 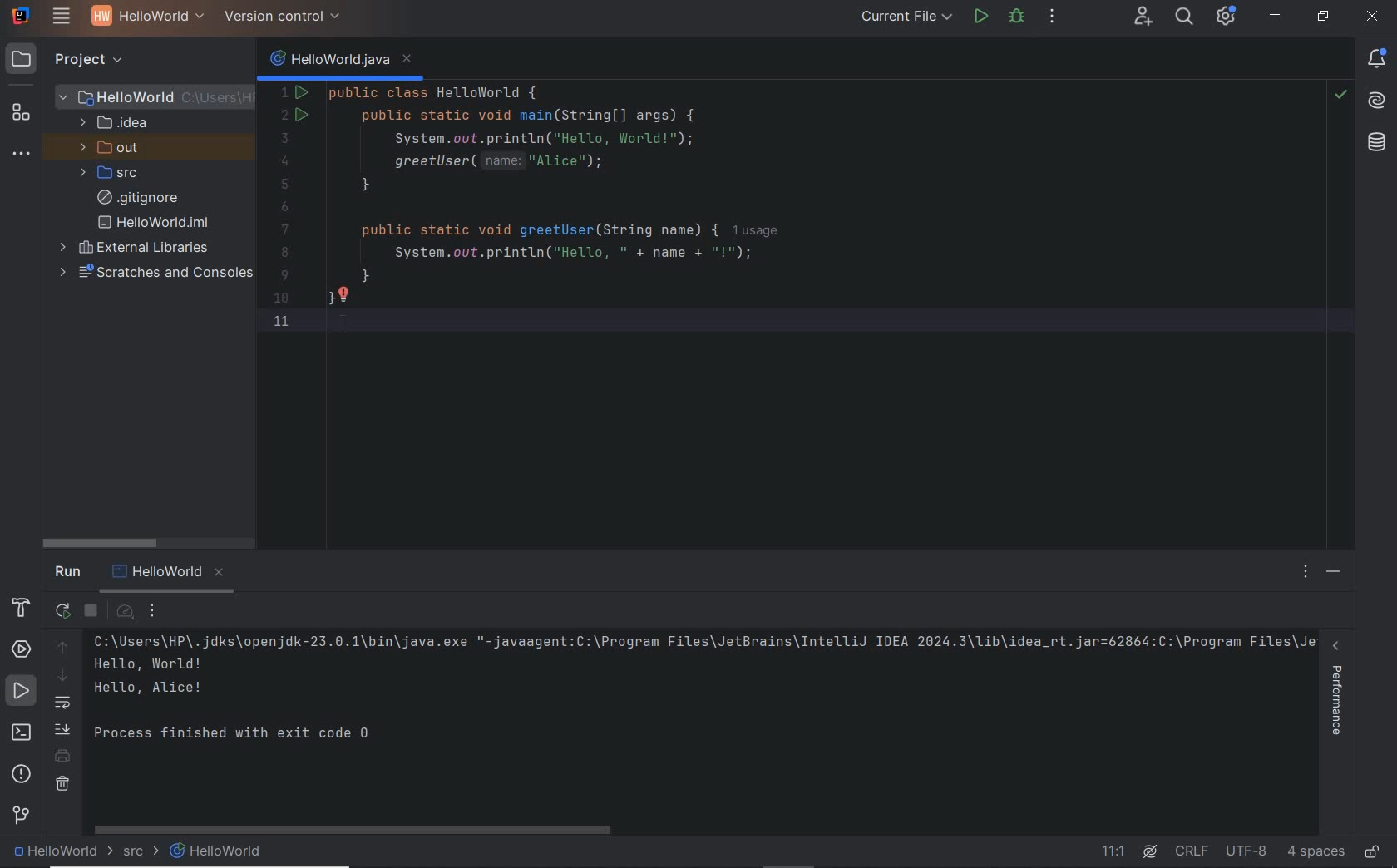 I want to click on problems, so click(x=22, y=774).